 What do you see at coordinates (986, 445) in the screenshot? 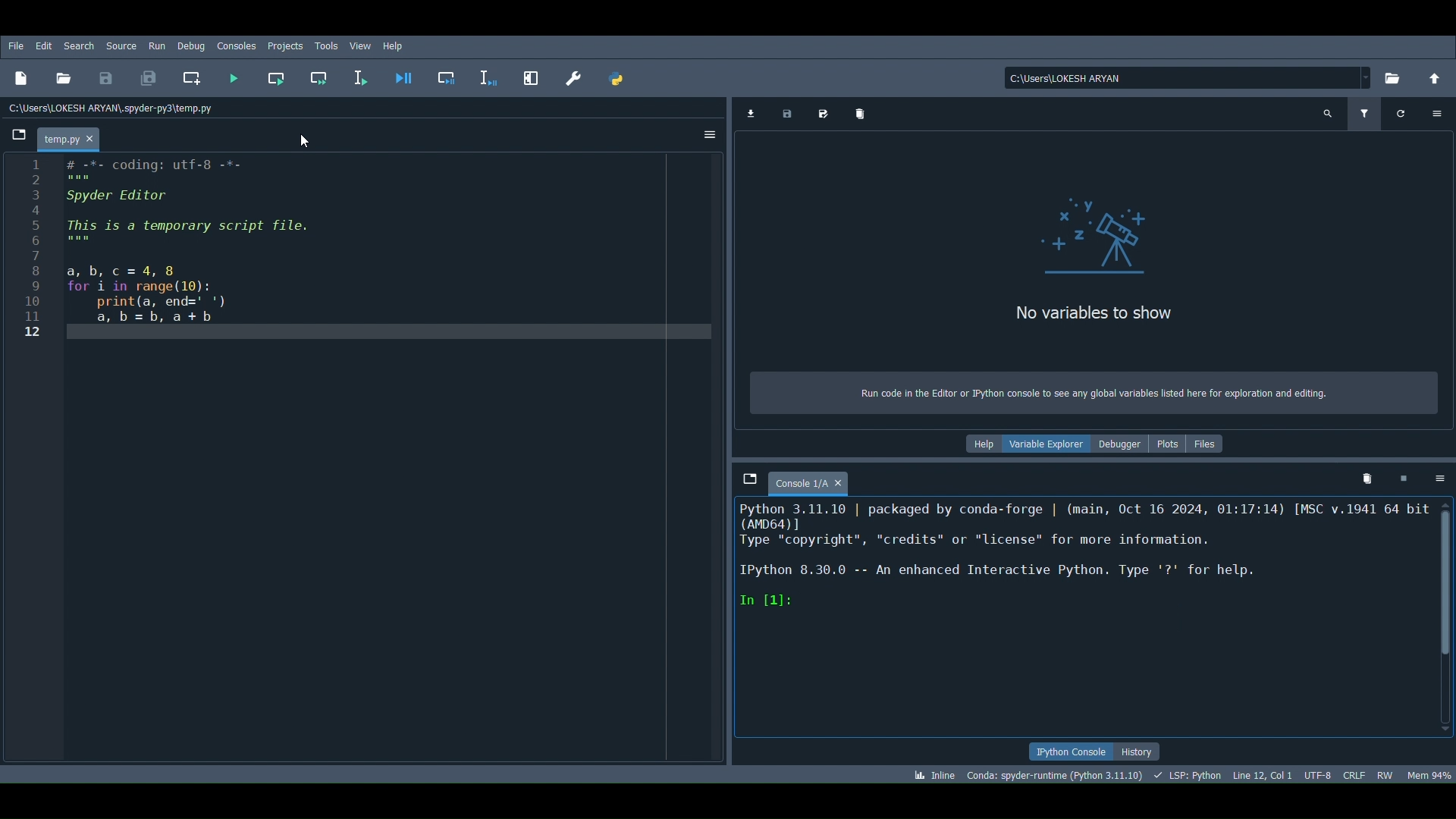
I see `Help` at bounding box center [986, 445].